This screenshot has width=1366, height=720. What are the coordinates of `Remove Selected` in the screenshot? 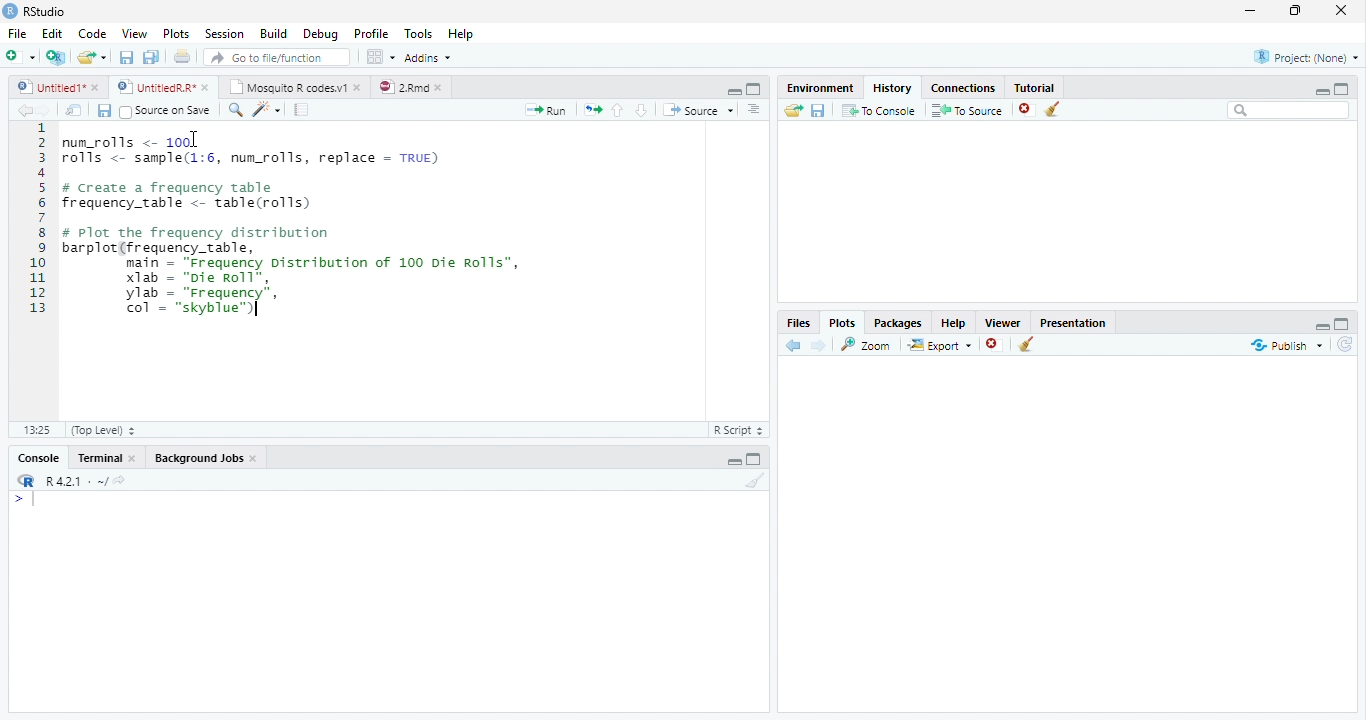 It's located at (995, 346).